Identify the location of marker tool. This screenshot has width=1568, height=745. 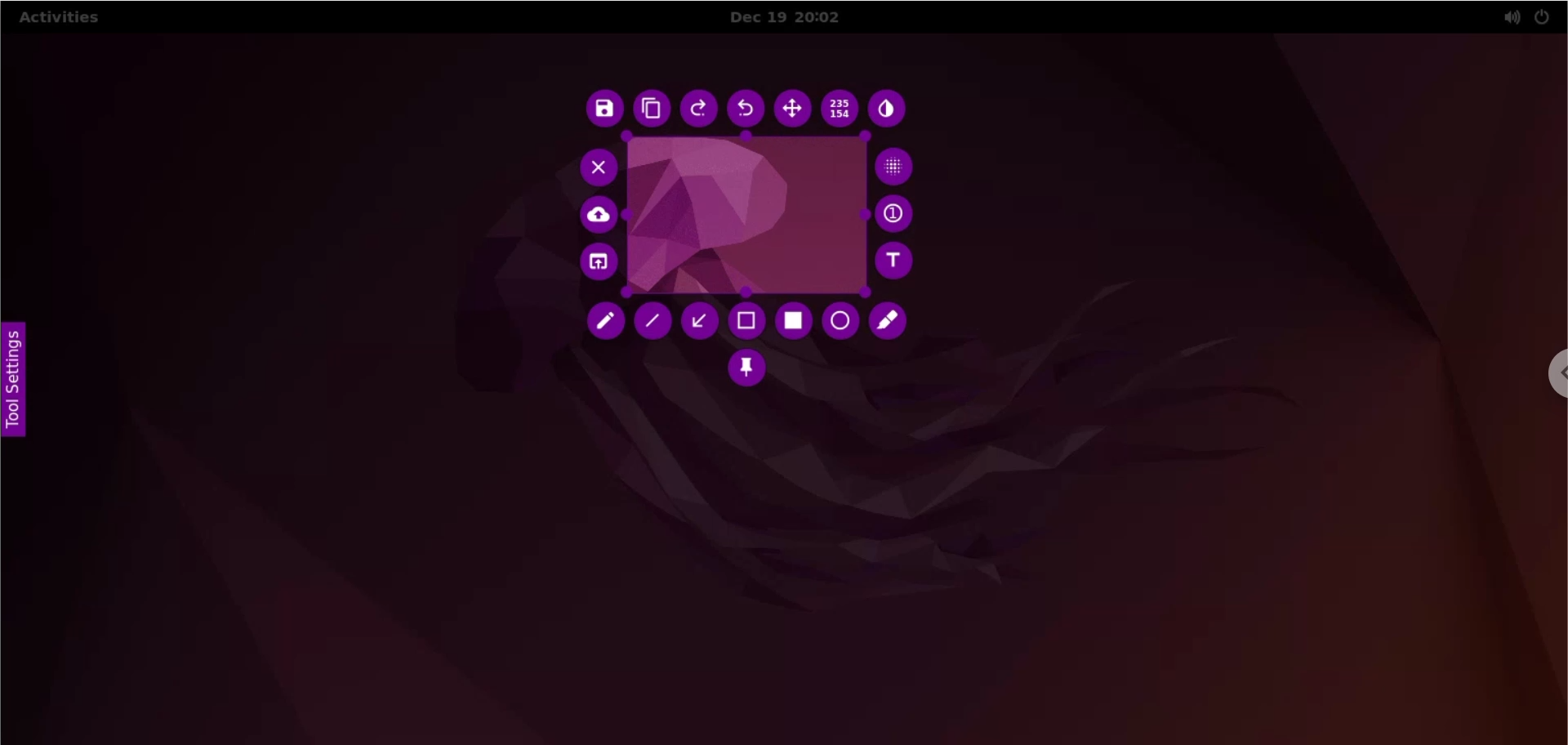
(890, 319).